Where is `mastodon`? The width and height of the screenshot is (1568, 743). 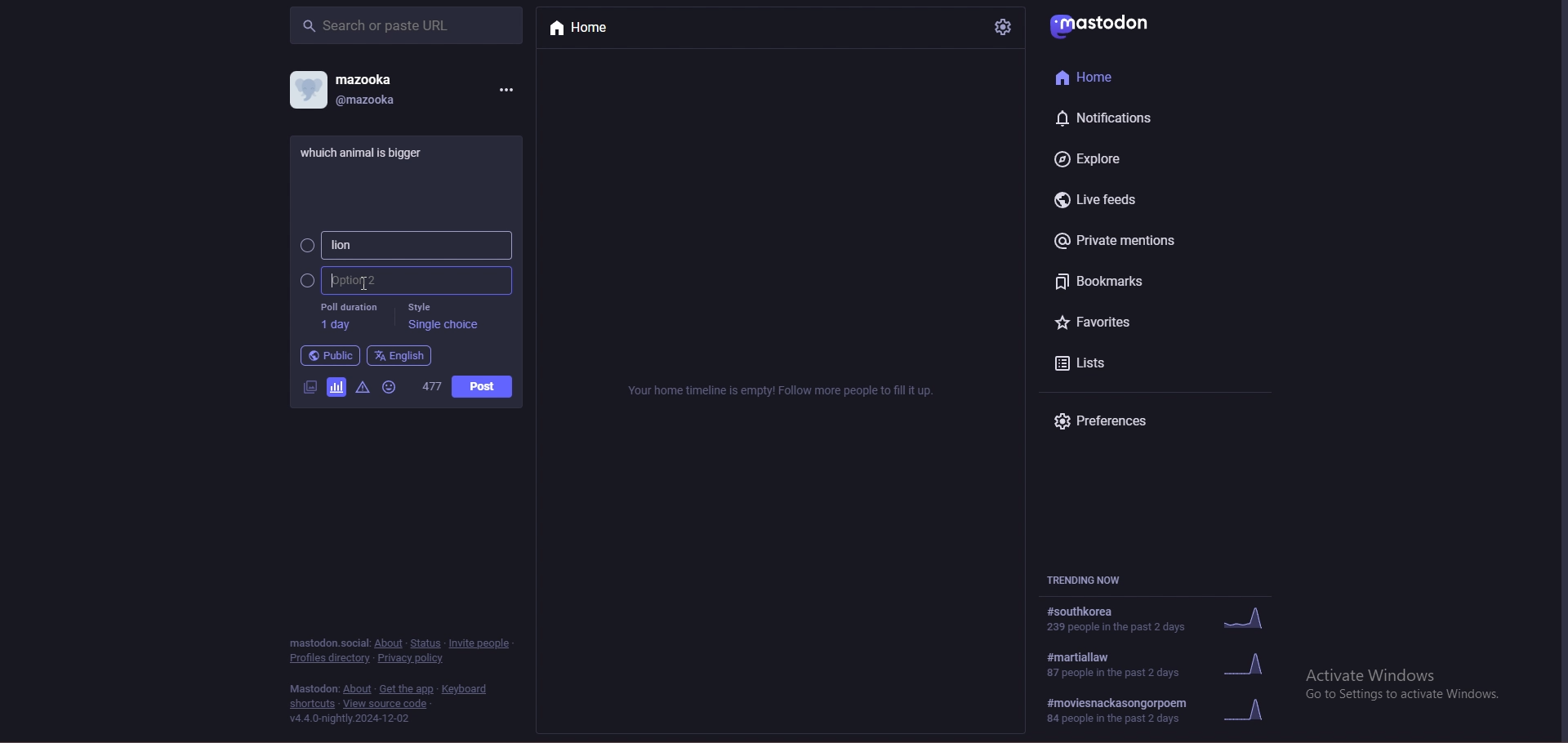
mastodon is located at coordinates (1107, 23).